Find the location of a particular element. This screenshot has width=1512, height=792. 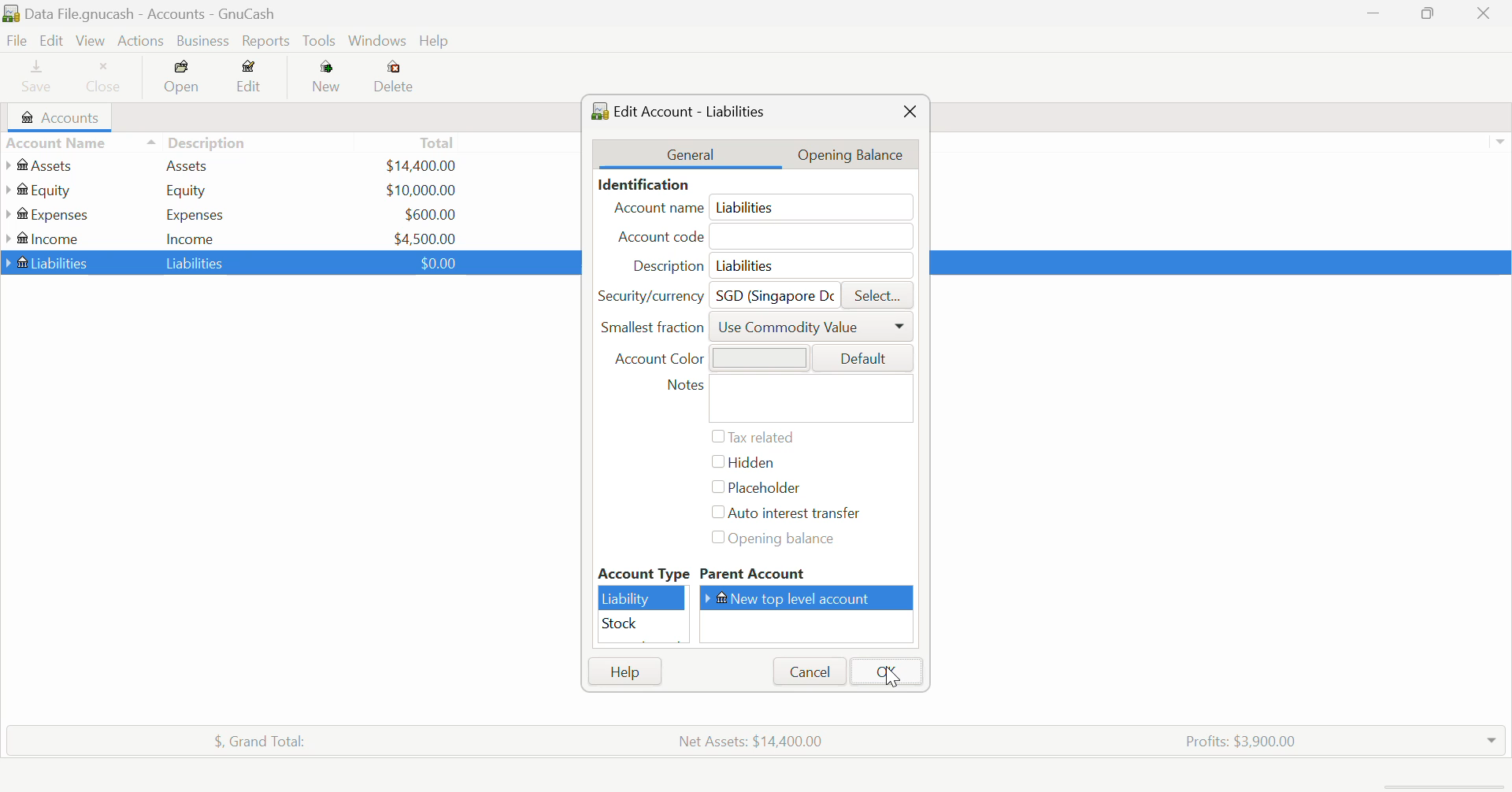

Expenses Account is located at coordinates (46, 214).